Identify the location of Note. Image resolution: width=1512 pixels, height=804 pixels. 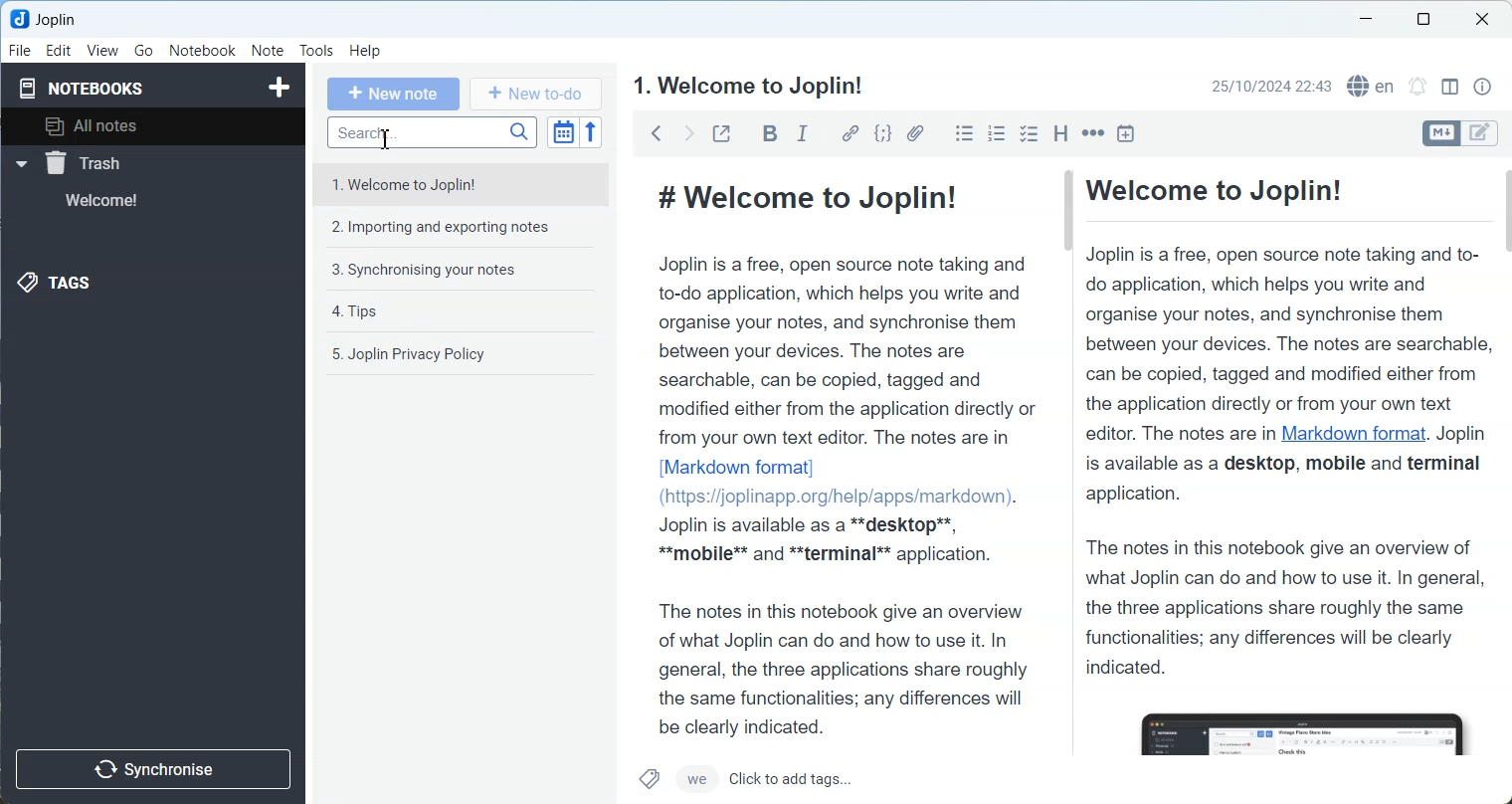
(267, 50).